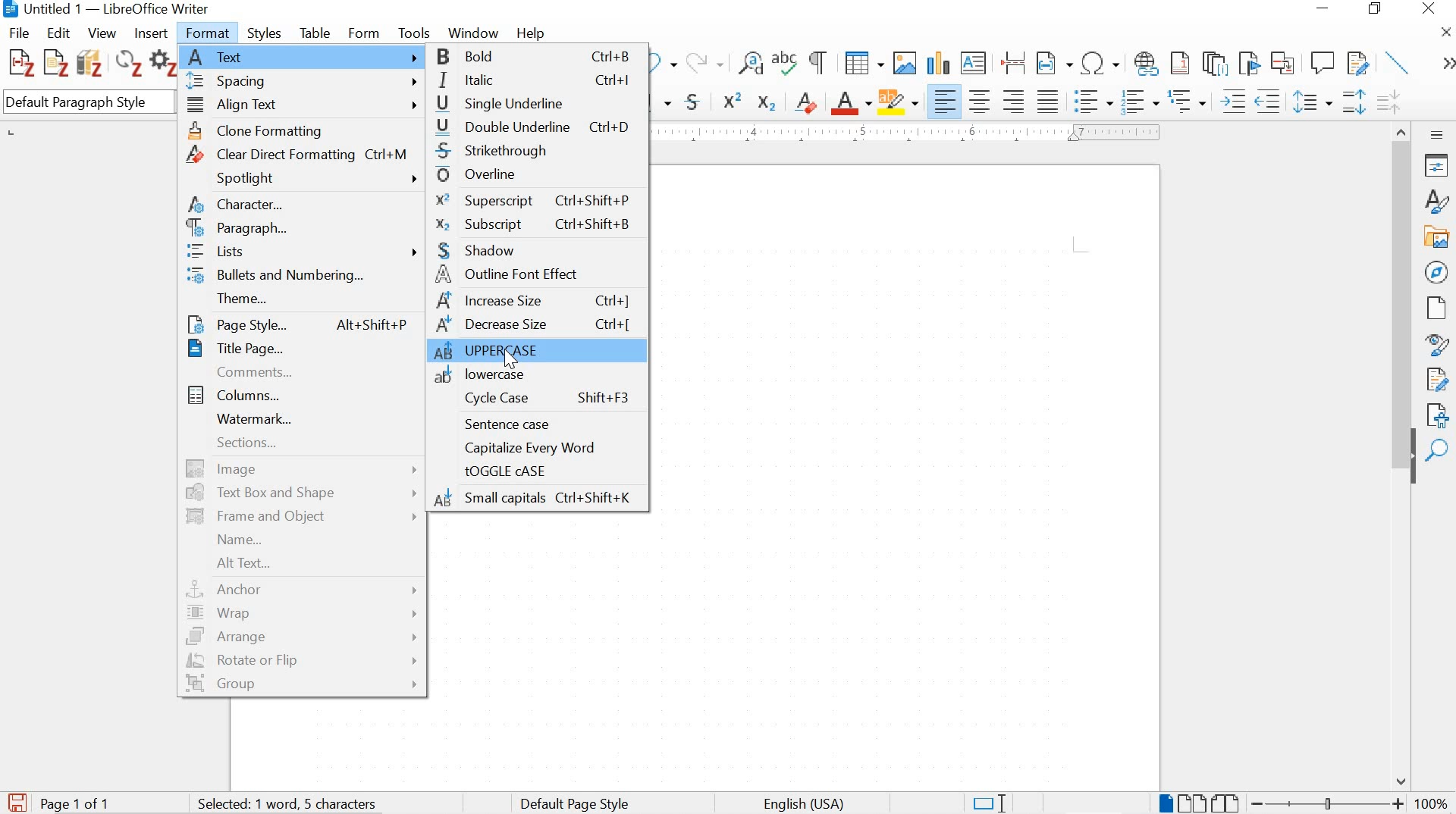  What do you see at coordinates (899, 101) in the screenshot?
I see `character highlighting color` at bounding box center [899, 101].